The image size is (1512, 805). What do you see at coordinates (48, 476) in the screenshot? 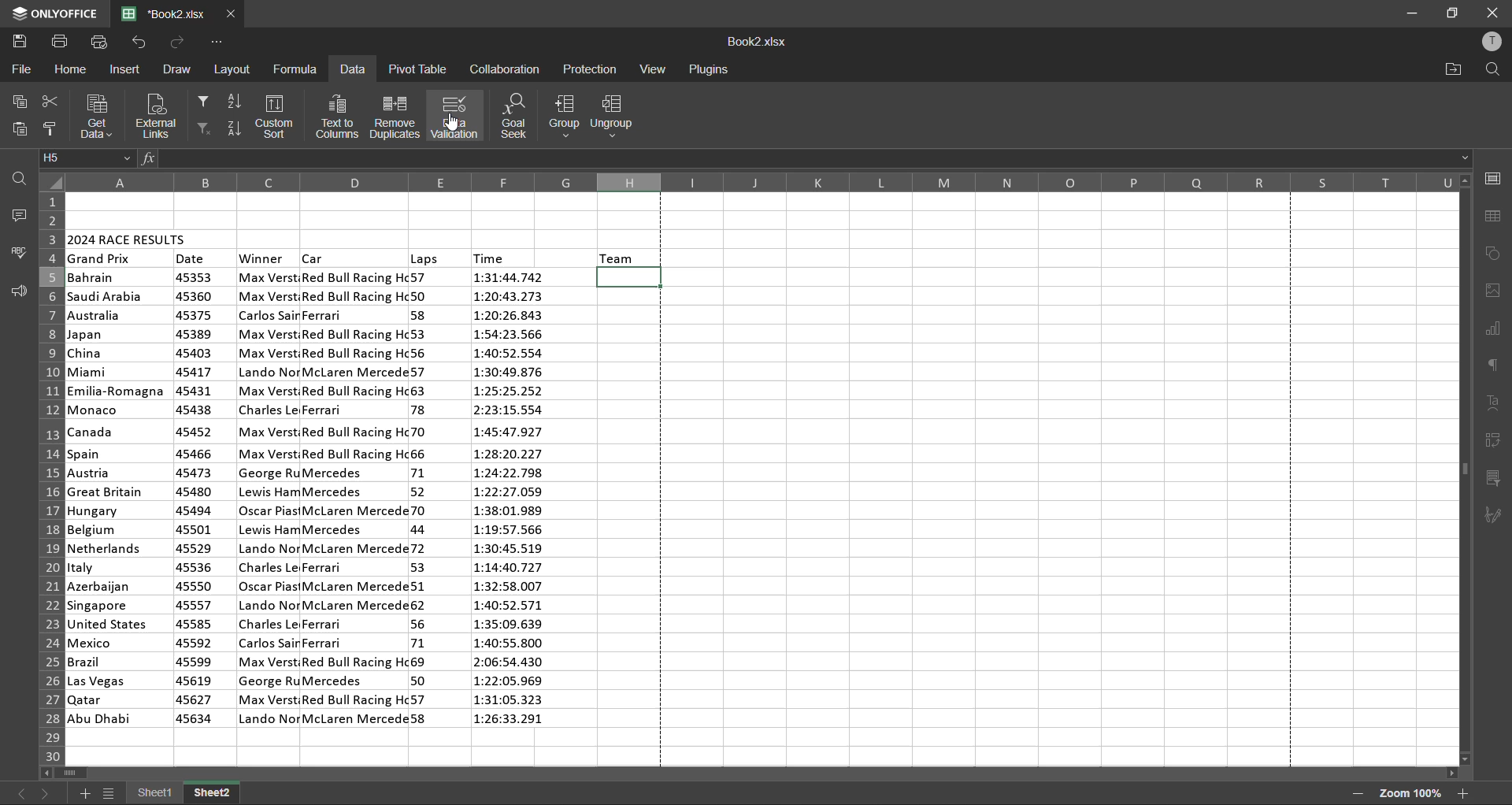
I see `row numbers` at bounding box center [48, 476].